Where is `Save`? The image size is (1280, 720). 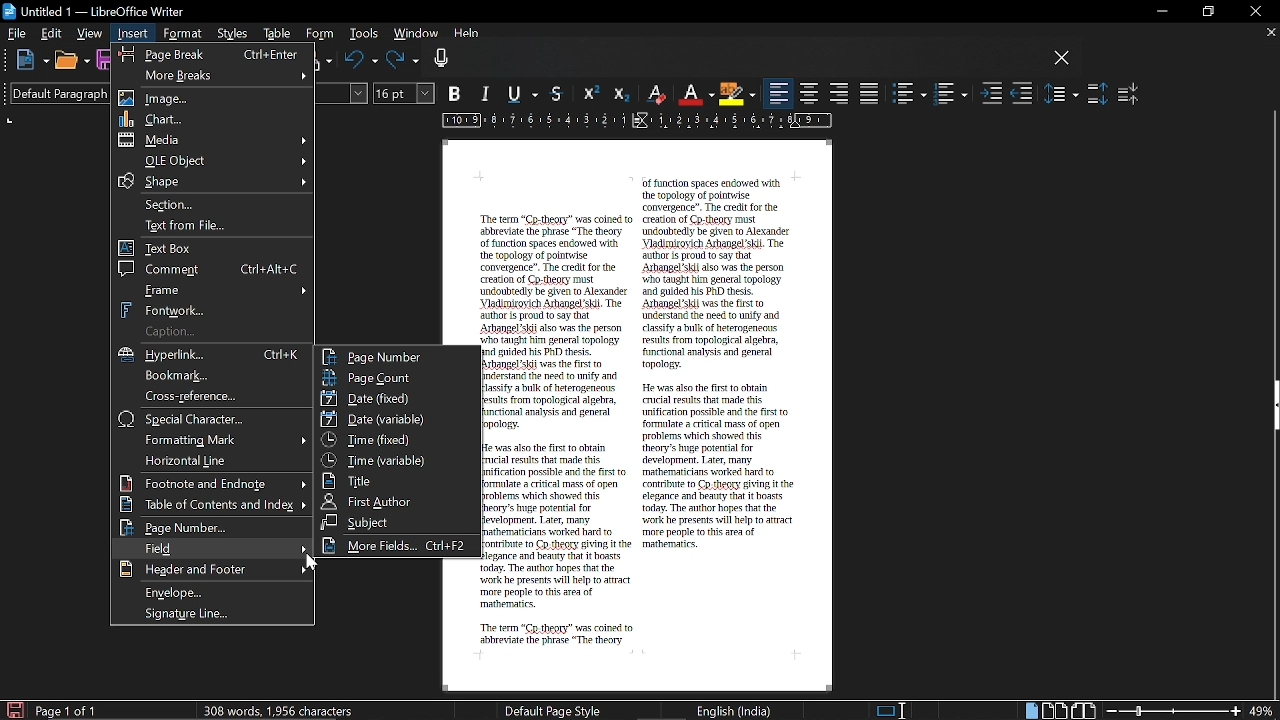 Save is located at coordinates (13, 709).